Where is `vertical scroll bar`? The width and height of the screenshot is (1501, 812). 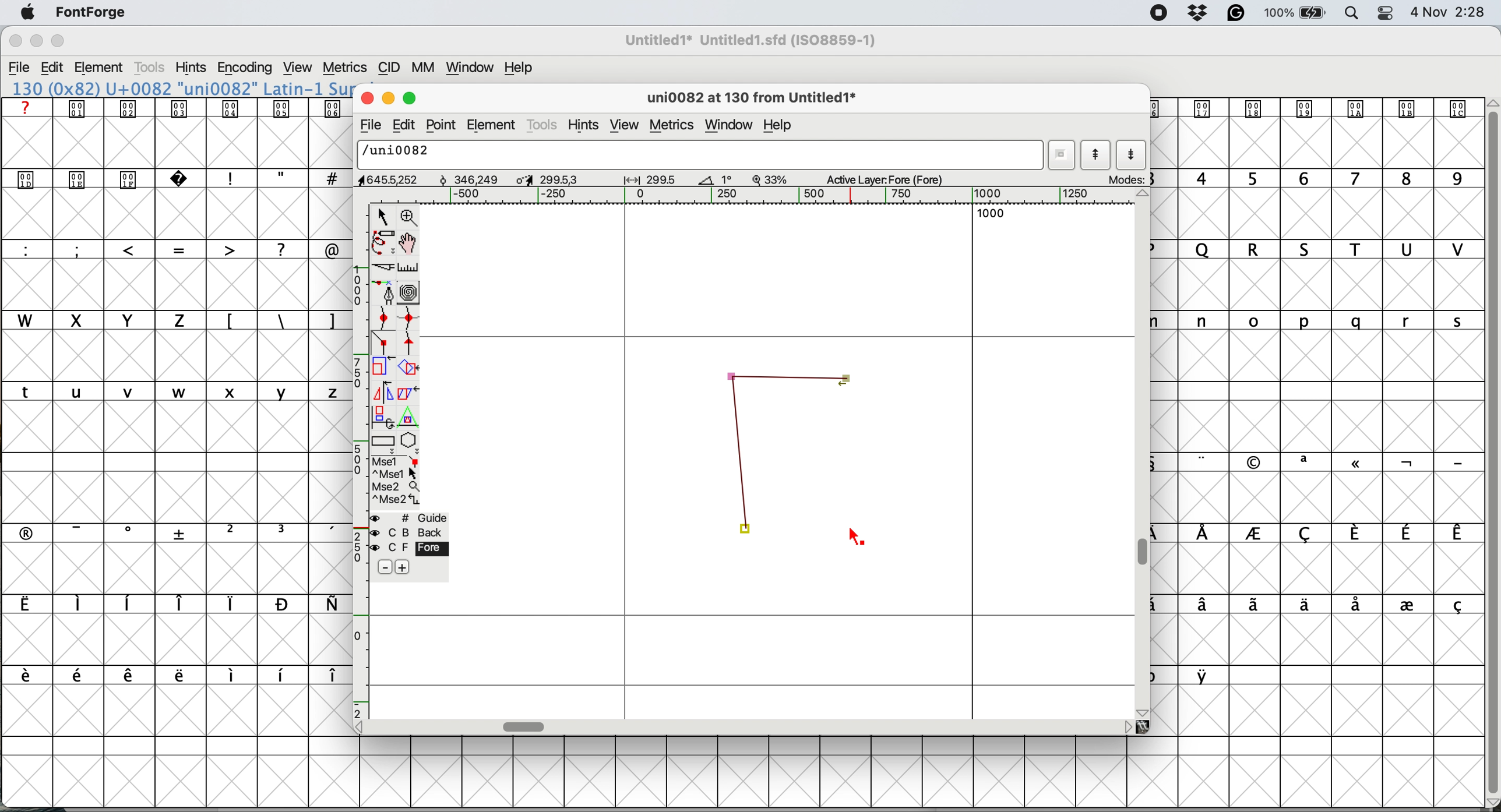
vertical scroll bar is located at coordinates (1146, 553).